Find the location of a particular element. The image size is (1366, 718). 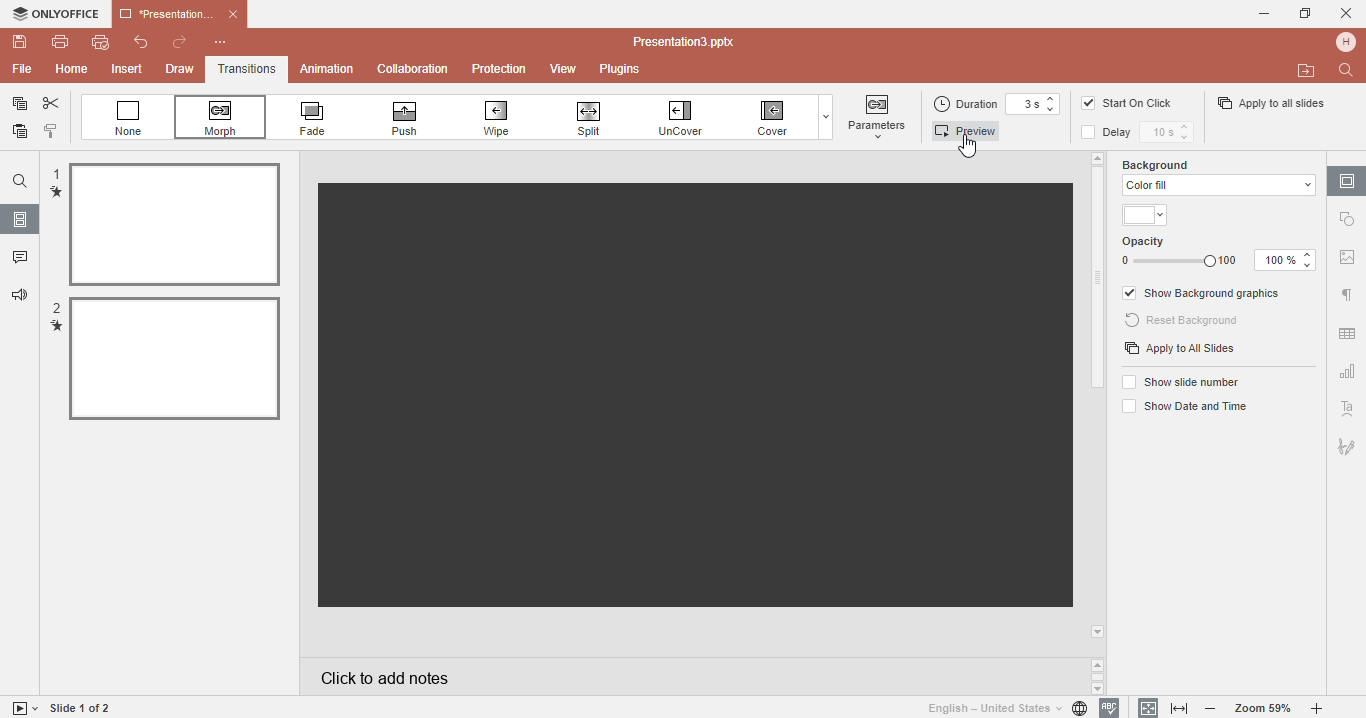

Click to add notes is located at coordinates (692, 676).